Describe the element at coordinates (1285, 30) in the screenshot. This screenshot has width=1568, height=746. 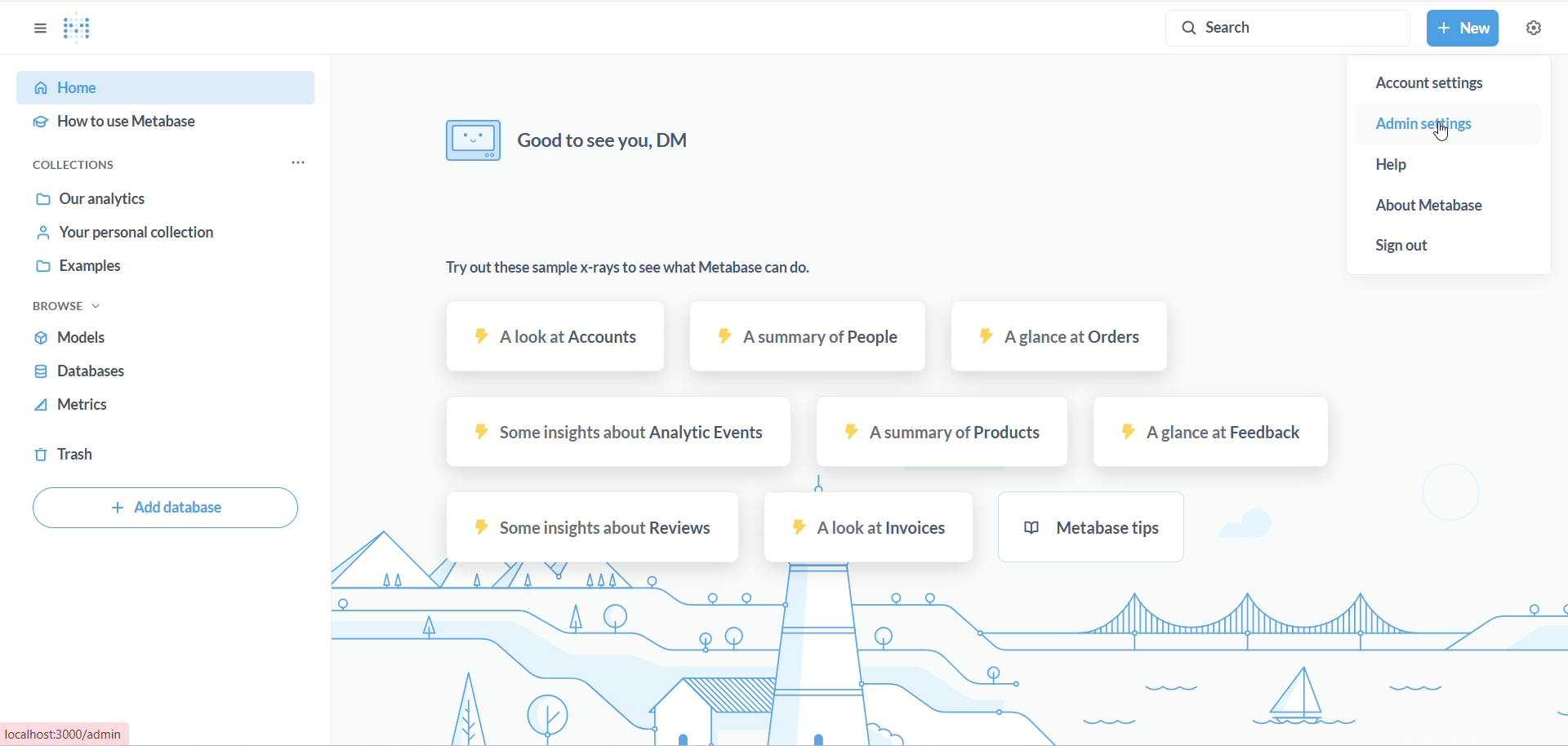
I see `search` at that location.